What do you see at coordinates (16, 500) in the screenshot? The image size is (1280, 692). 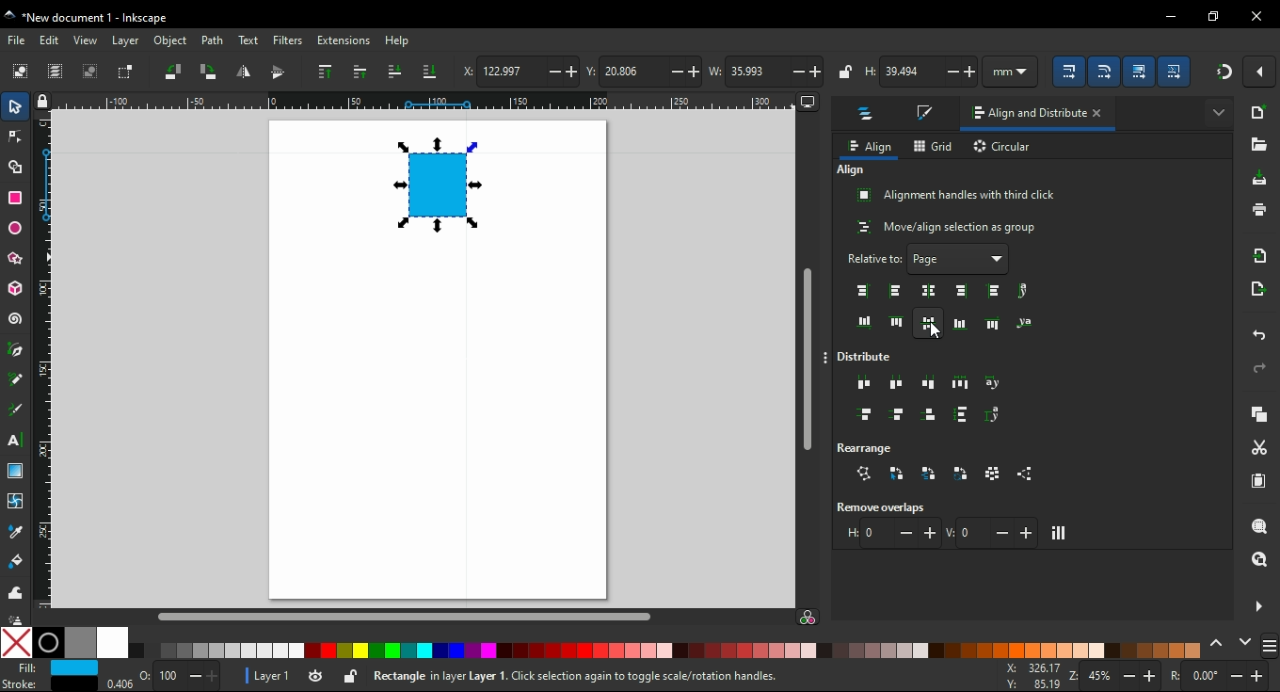 I see `mesh tool` at bounding box center [16, 500].